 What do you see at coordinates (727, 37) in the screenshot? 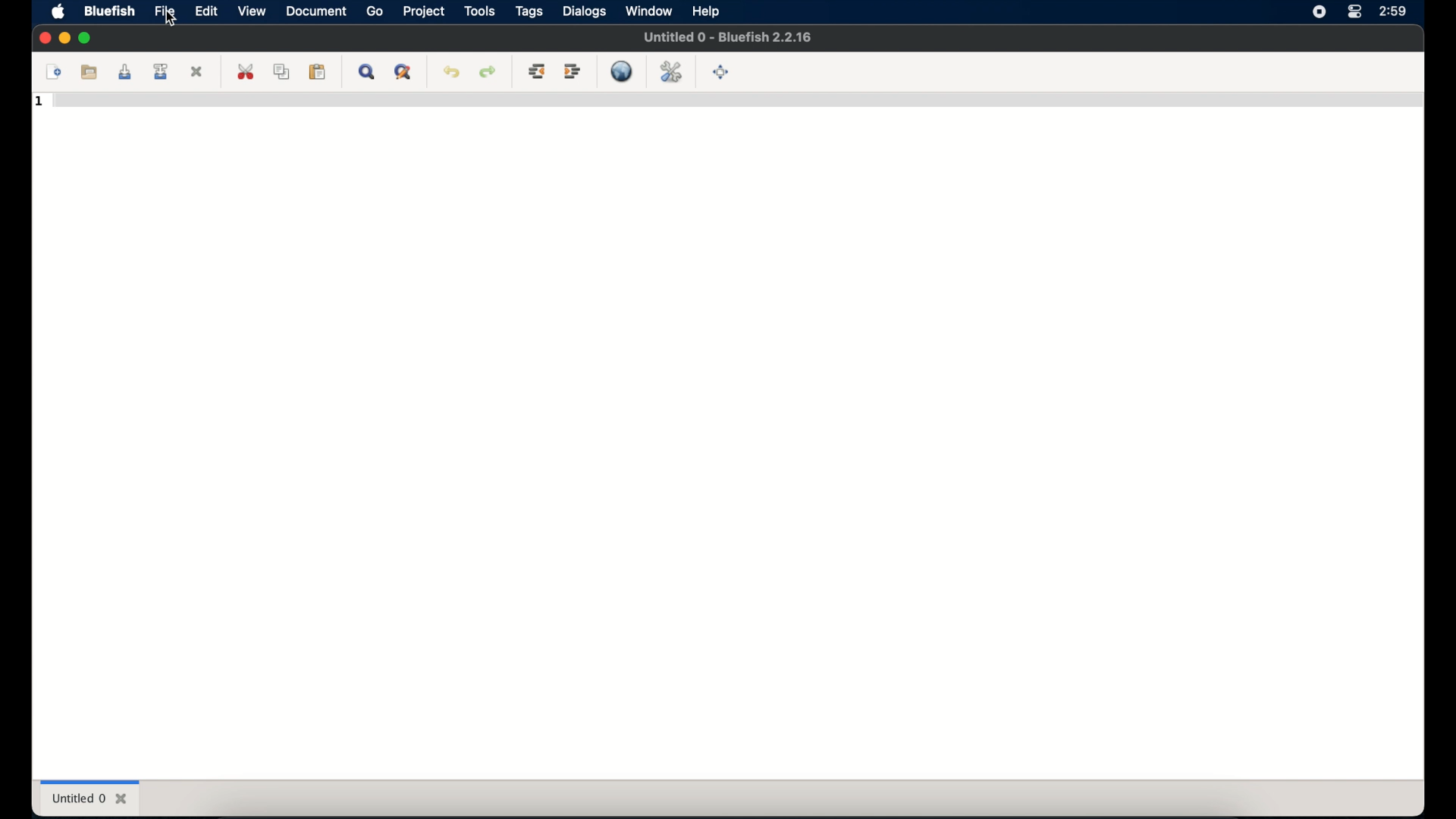
I see `untitled 0 - bluefish 2.2.16` at bounding box center [727, 37].